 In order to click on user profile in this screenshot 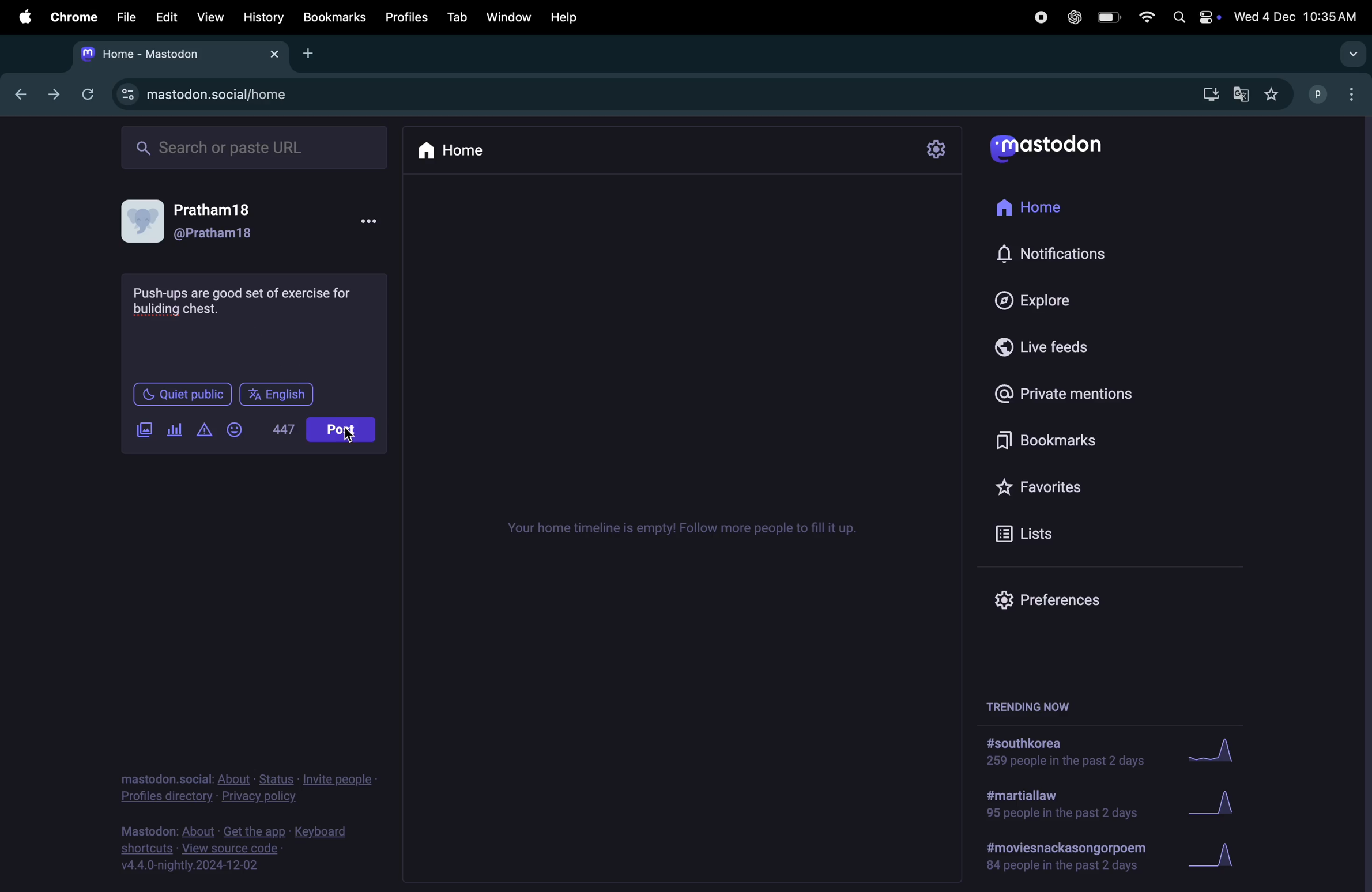, I will do `click(205, 221)`.